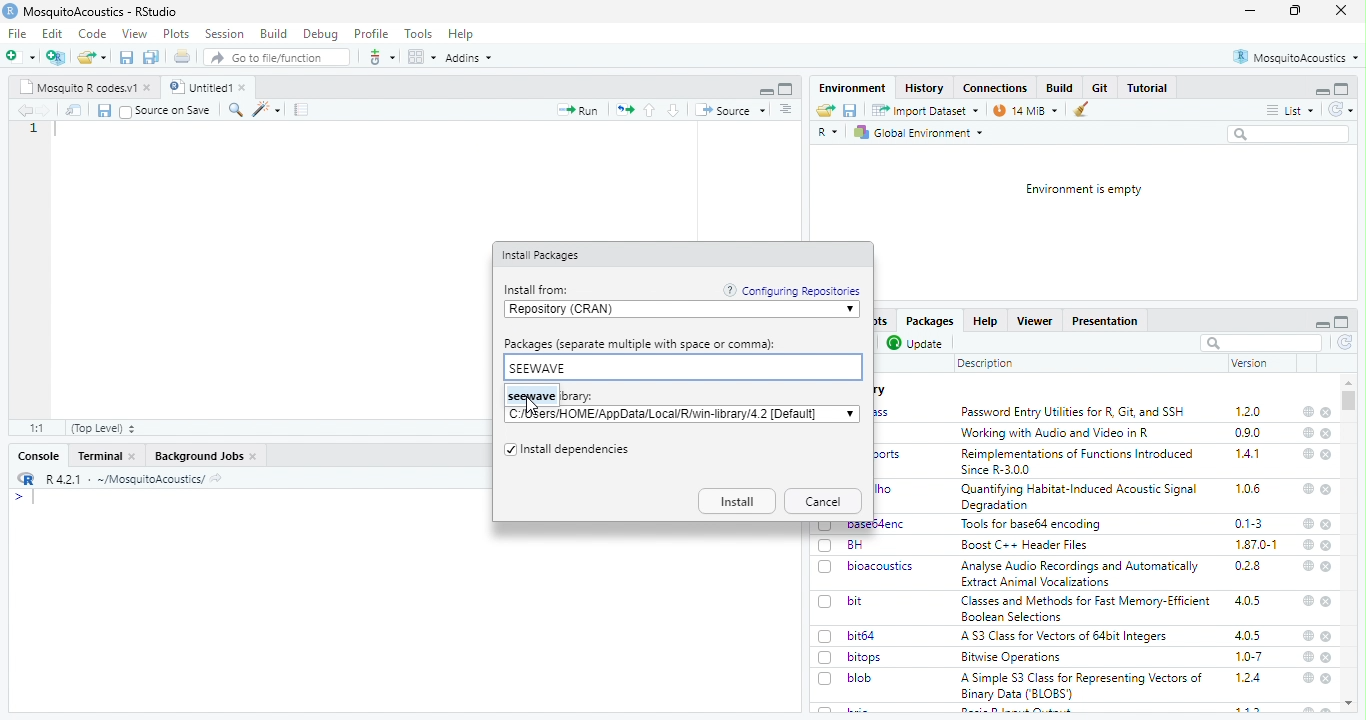 This screenshot has width=1366, height=720. What do you see at coordinates (531, 397) in the screenshot?
I see `seewave` at bounding box center [531, 397].